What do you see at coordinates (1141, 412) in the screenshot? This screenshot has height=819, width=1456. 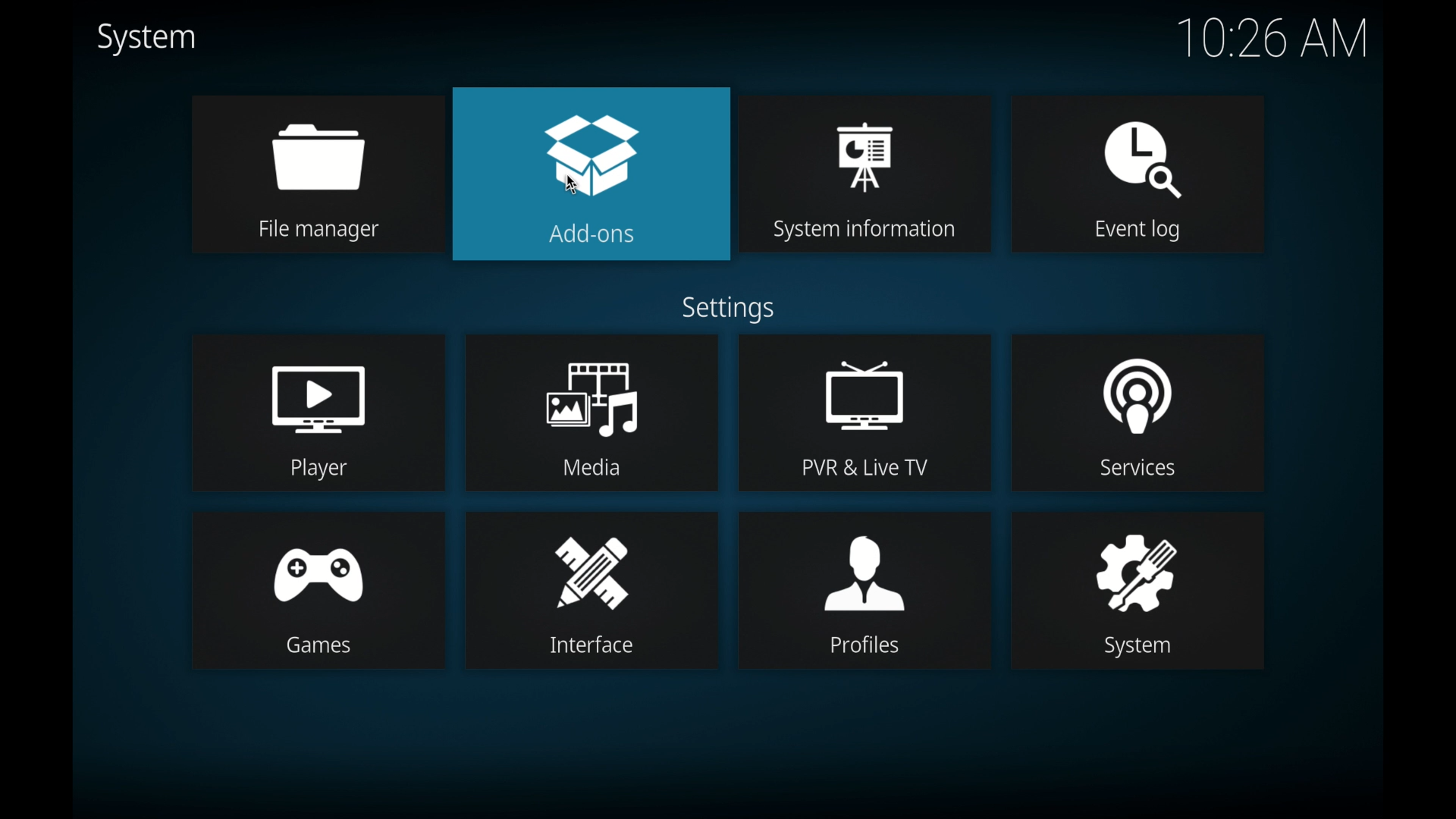 I see `services` at bounding box center [1141, 412].